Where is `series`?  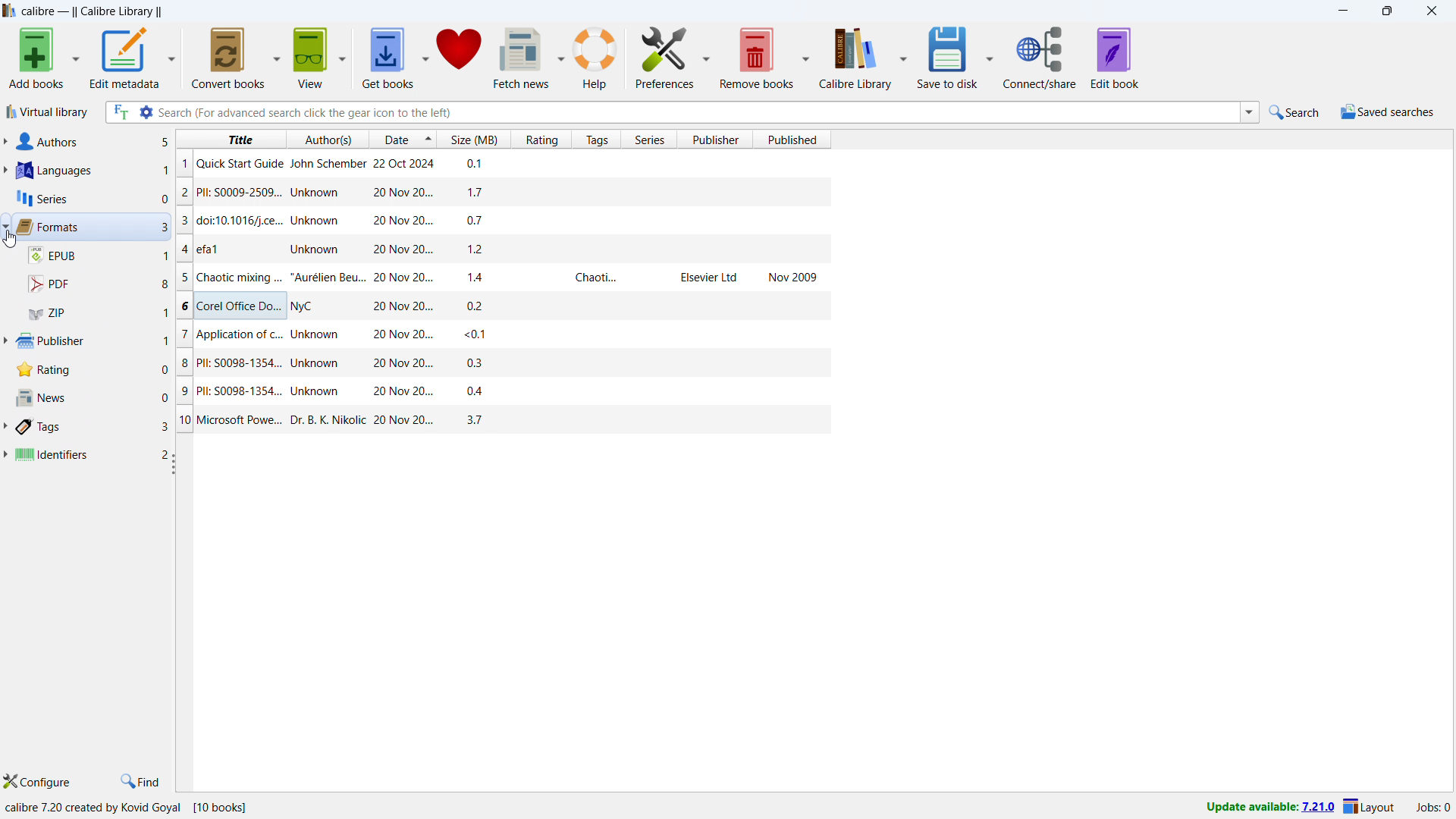
series is located at coordinates (91, 199).